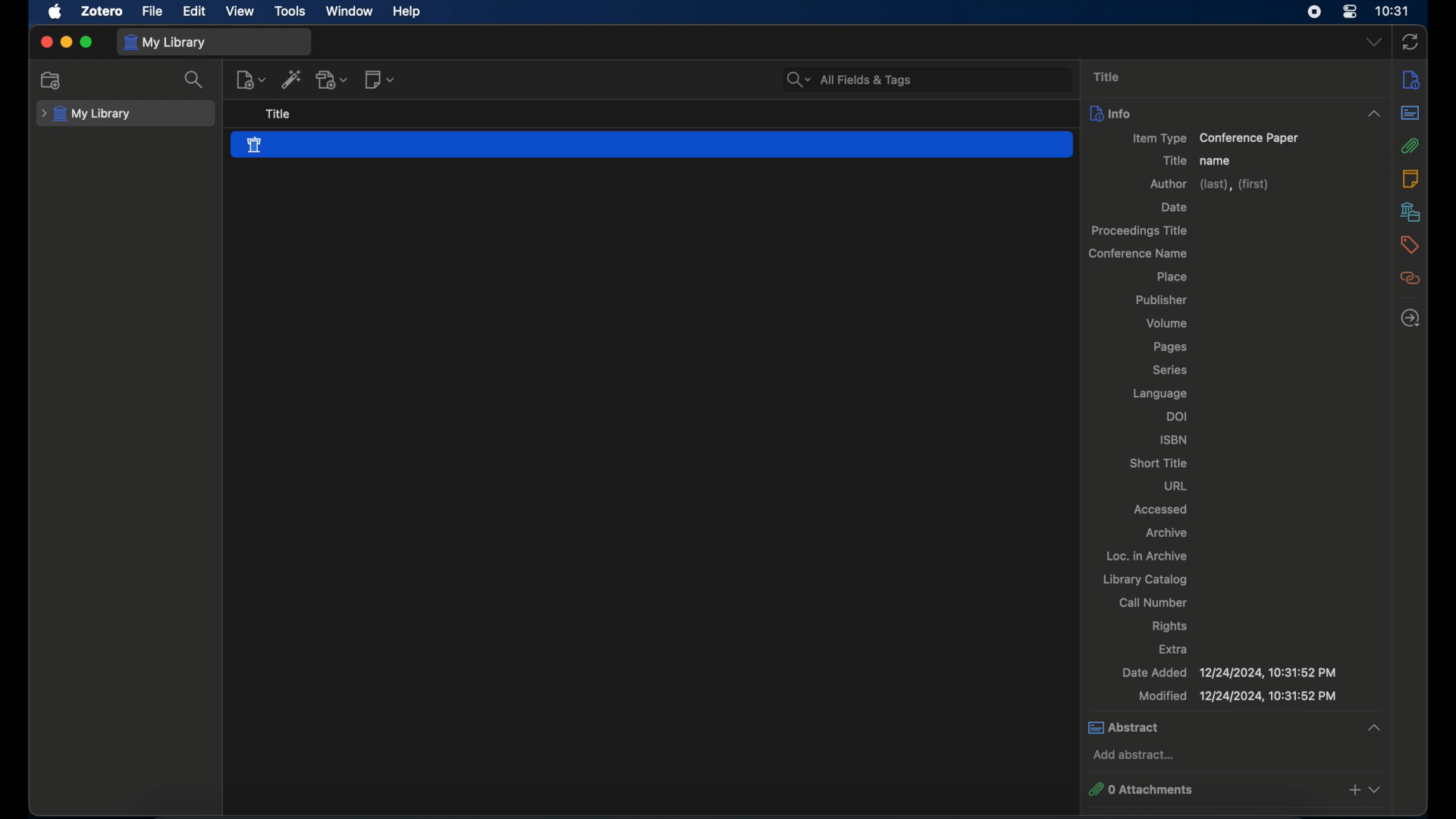  What do you see at coordinates (167, 43) in the screenshot?
I see `my library` at bounding box center [167, 43].